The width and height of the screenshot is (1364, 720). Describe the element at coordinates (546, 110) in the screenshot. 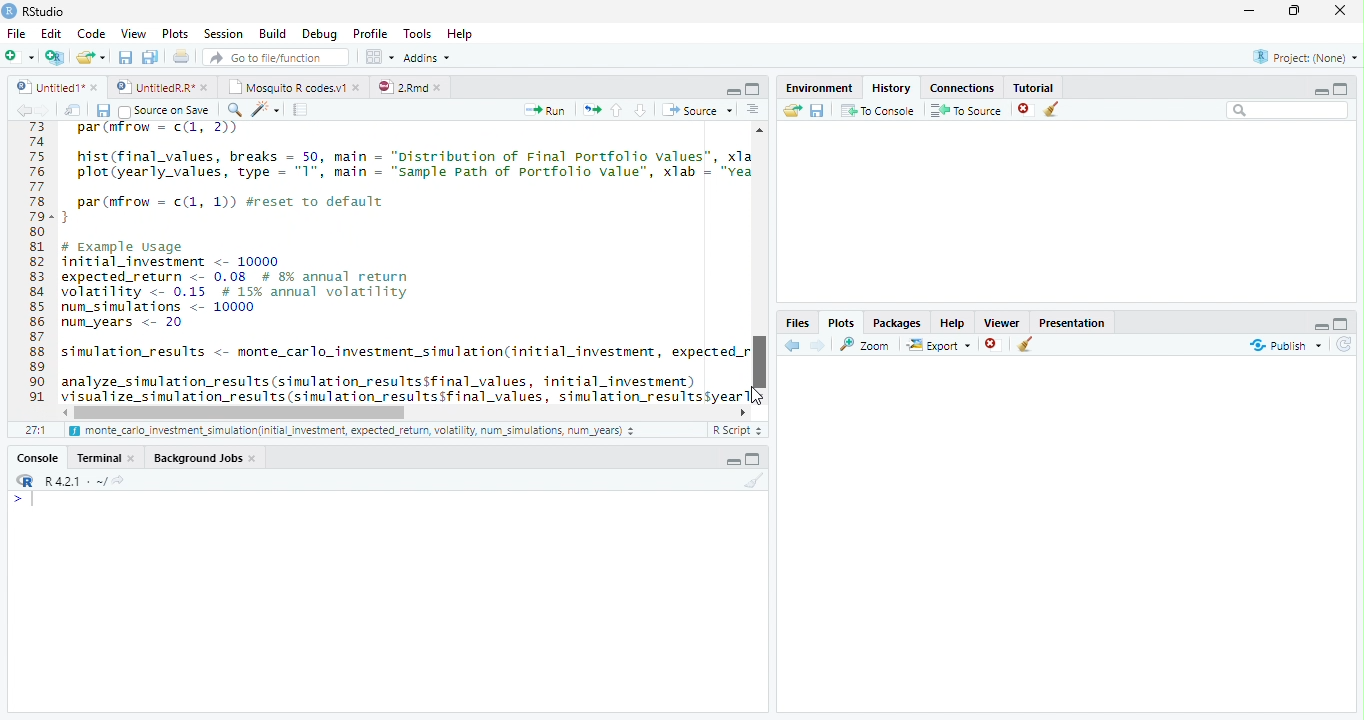

I see `Run` at that location.